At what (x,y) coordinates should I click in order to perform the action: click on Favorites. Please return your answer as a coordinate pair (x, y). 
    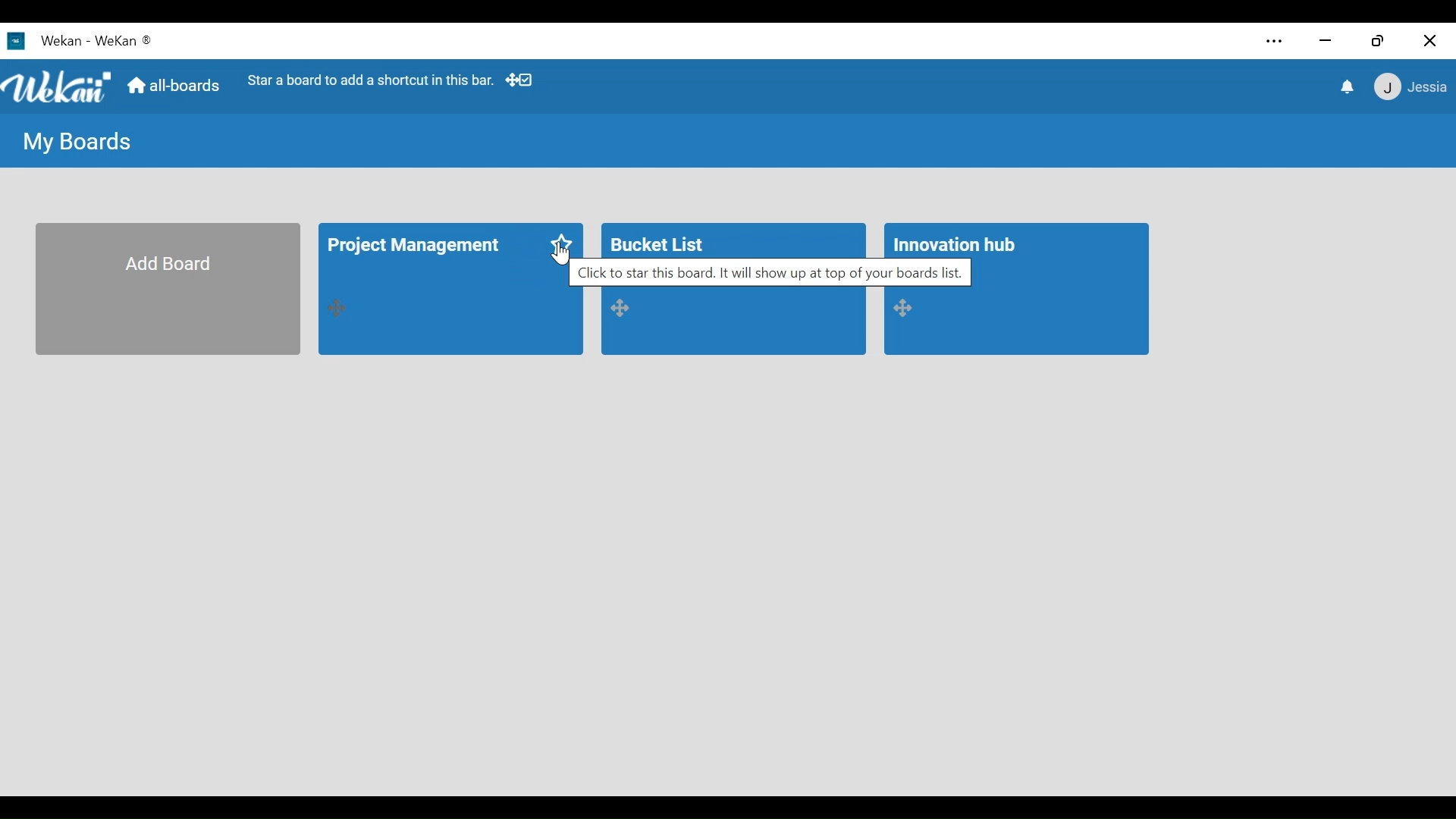
    Looking at the image, I should click on (563, 244).